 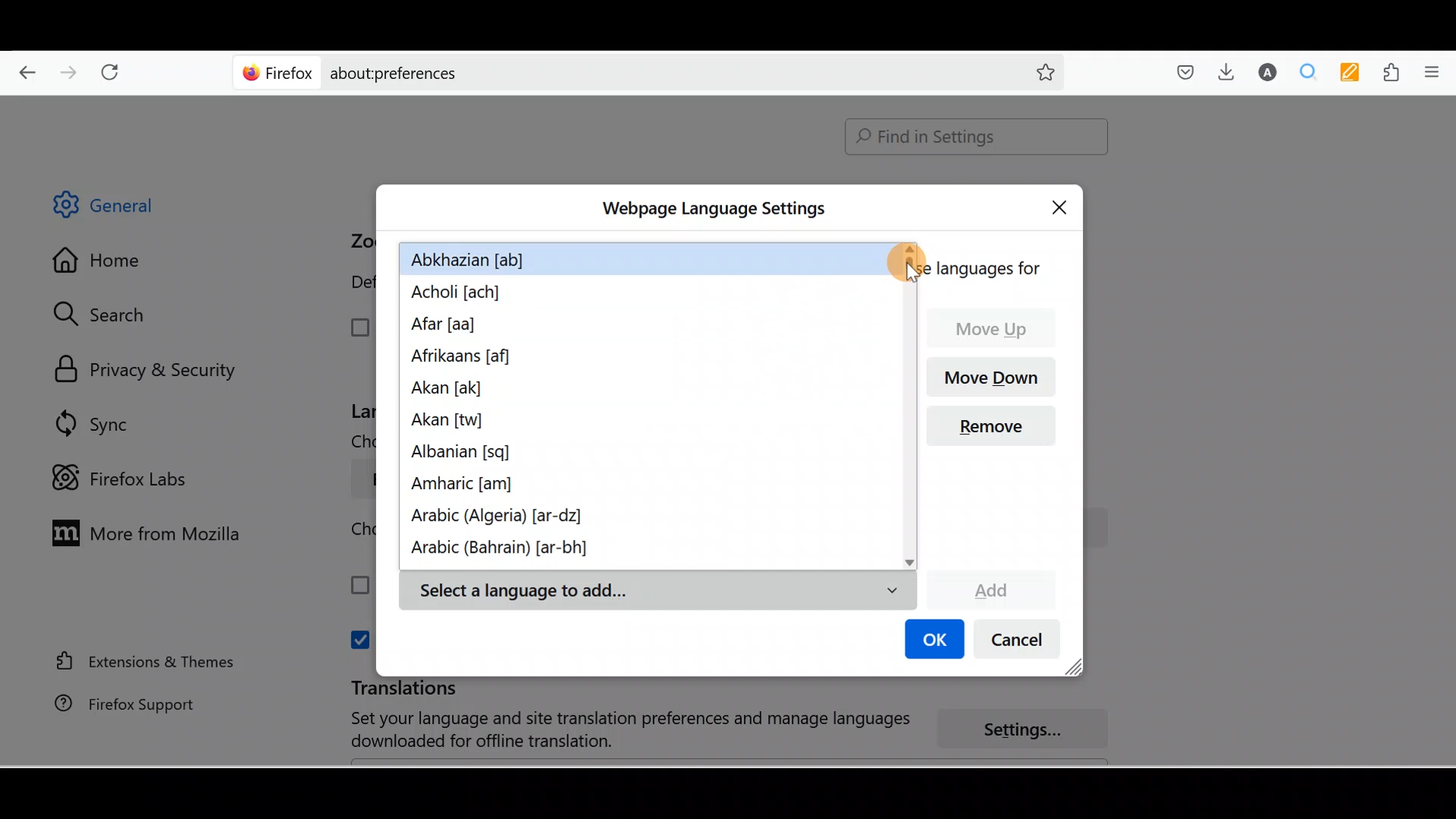 What do you see at coordinates (997, 375) in the screenshot?
I see `Move Down` at bounding box center [997, 375].